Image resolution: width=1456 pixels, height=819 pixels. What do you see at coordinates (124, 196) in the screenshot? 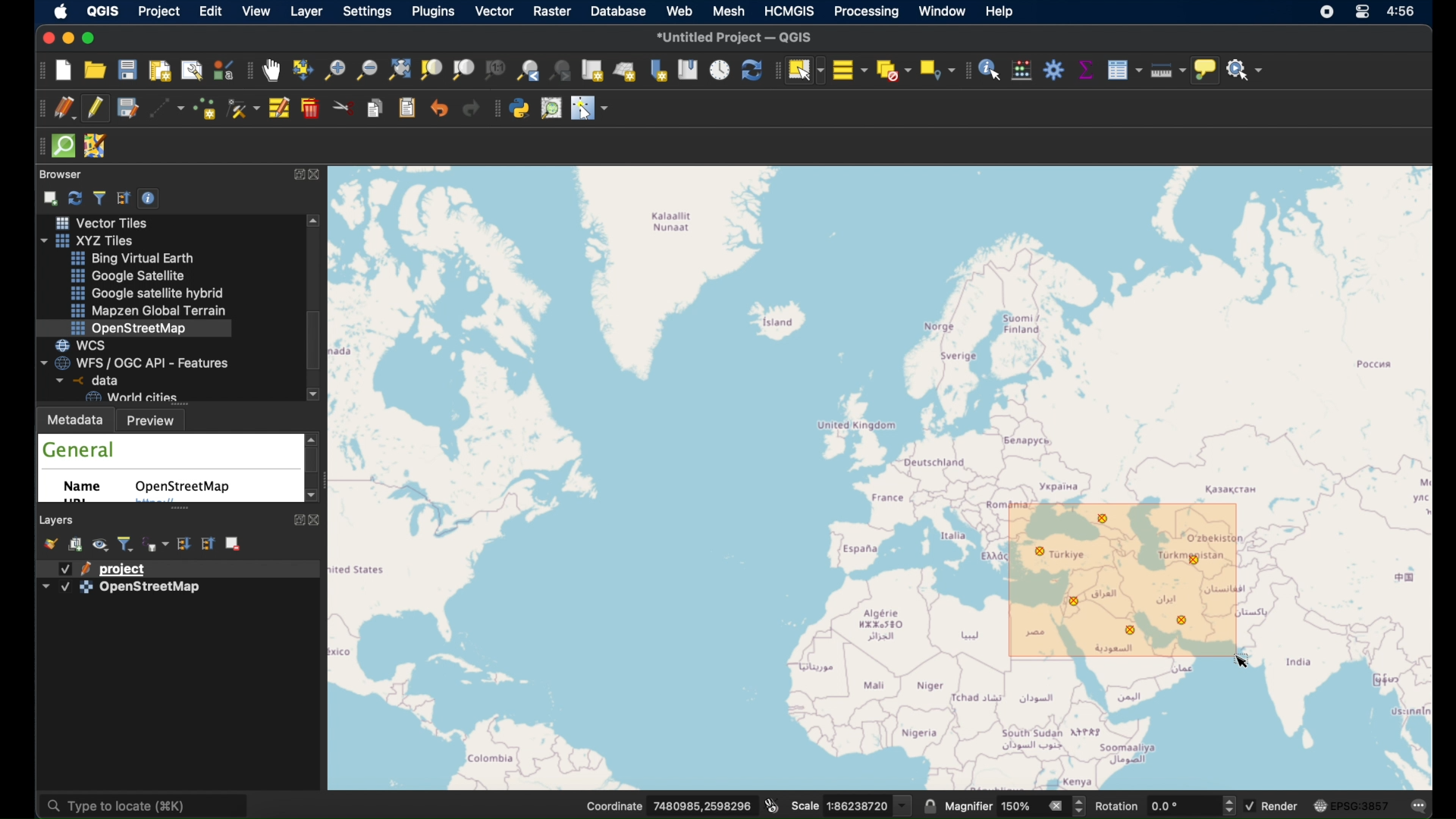
I see `collapse all ` at bounding box center [124, 196].